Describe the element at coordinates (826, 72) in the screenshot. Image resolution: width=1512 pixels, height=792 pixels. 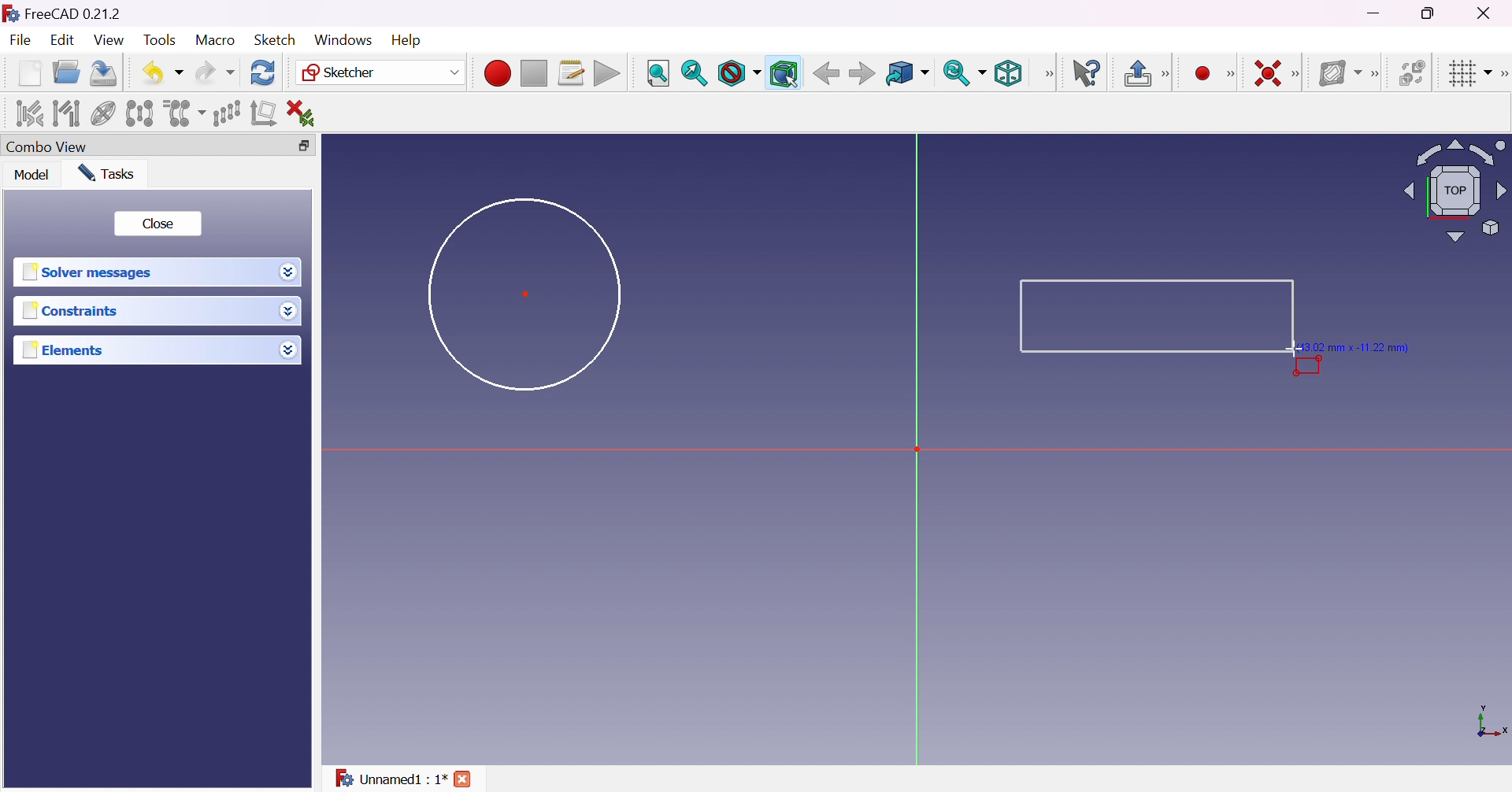
I see `Back` at that location.